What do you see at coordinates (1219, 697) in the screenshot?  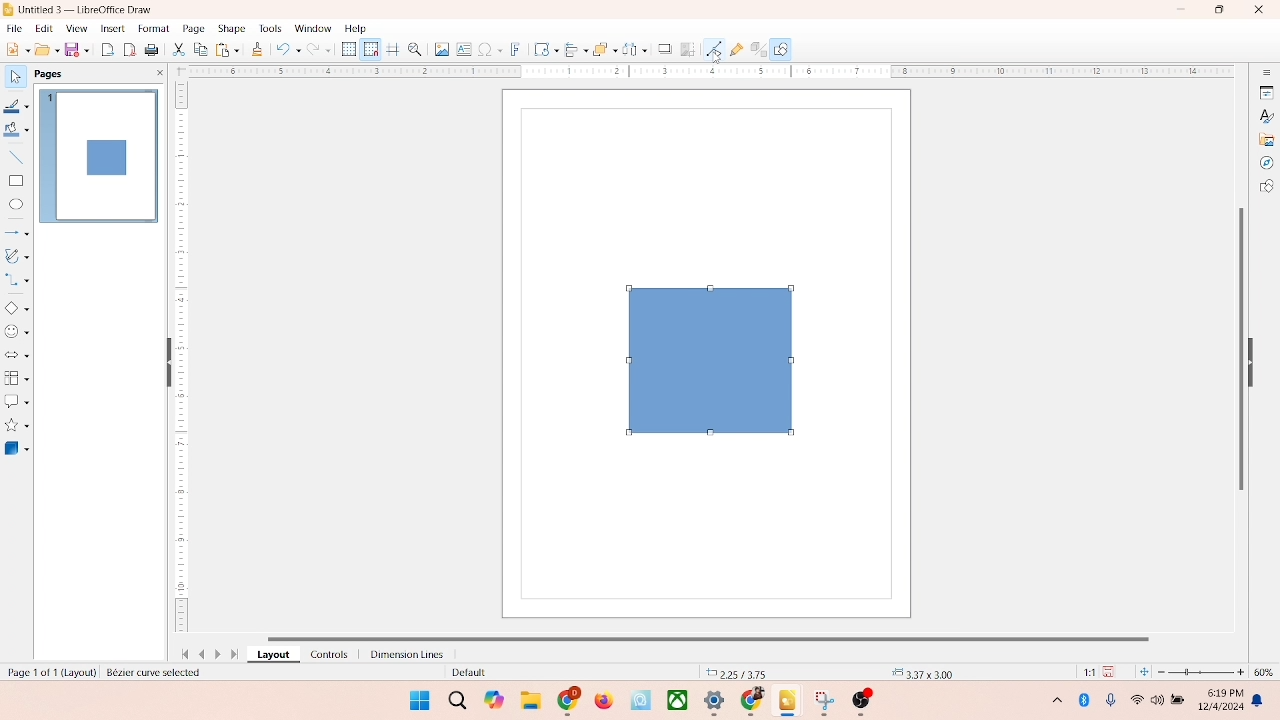 I see `time and date` at bounding box center [1219, 697].